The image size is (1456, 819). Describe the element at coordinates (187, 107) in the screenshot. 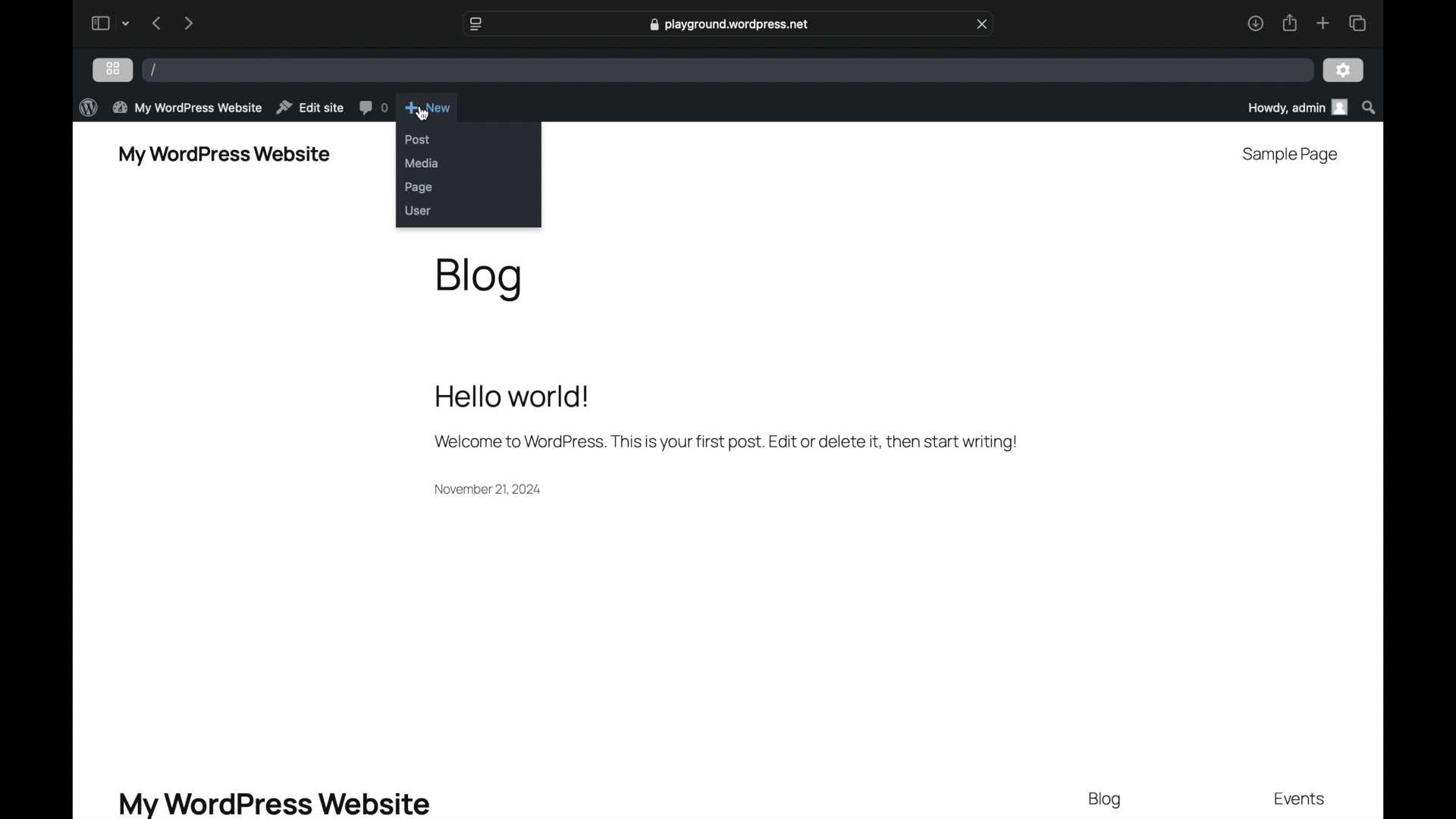

I see `my wordpress website` at that location.